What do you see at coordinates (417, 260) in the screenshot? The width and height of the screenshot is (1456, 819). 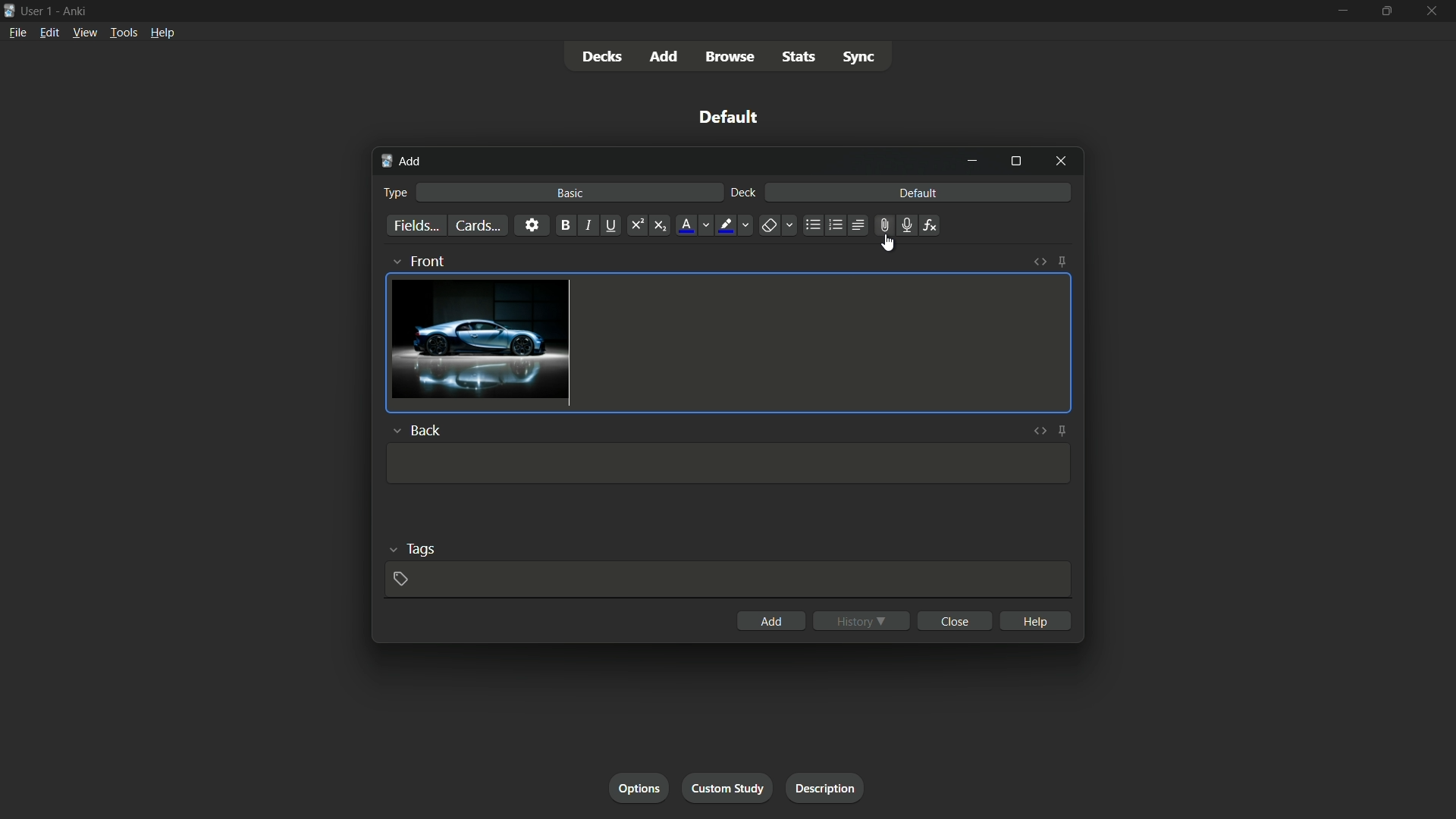 I see `front` at bounding box center [417, 260].